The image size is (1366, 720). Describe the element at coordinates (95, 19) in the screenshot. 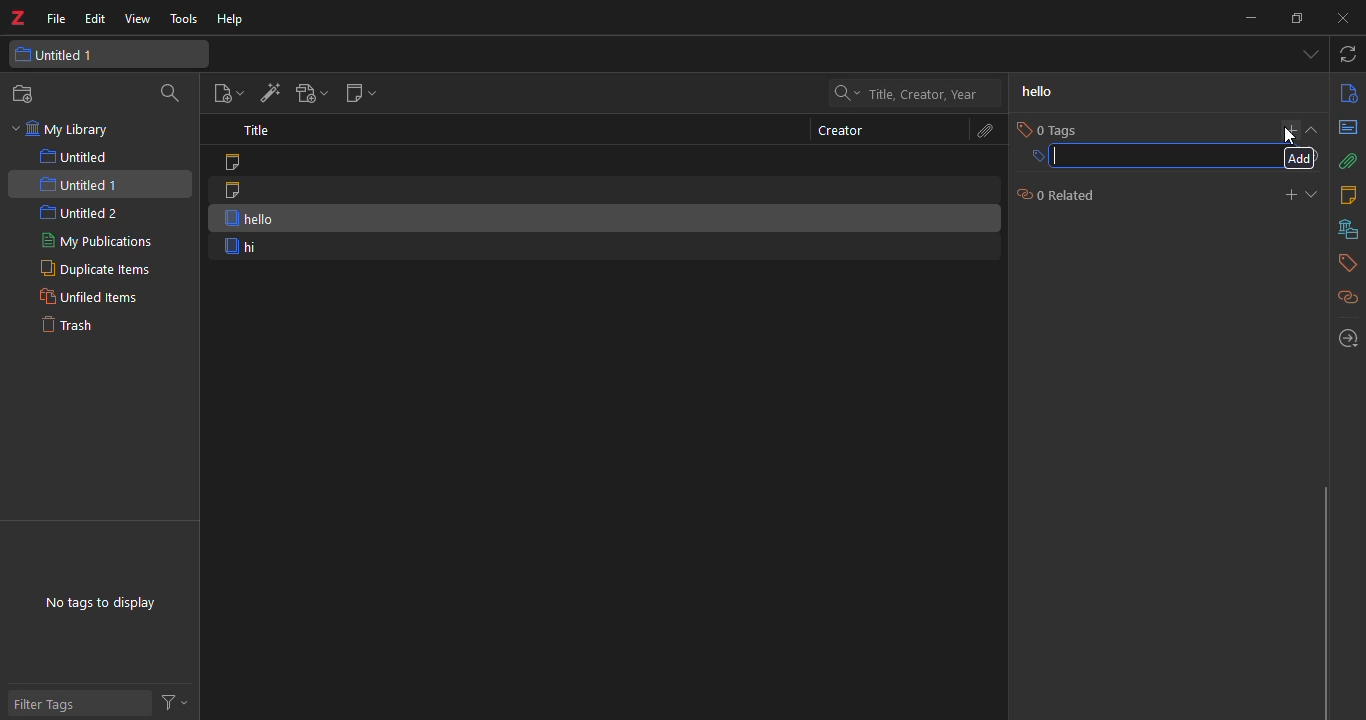

I see `edit` at that location.